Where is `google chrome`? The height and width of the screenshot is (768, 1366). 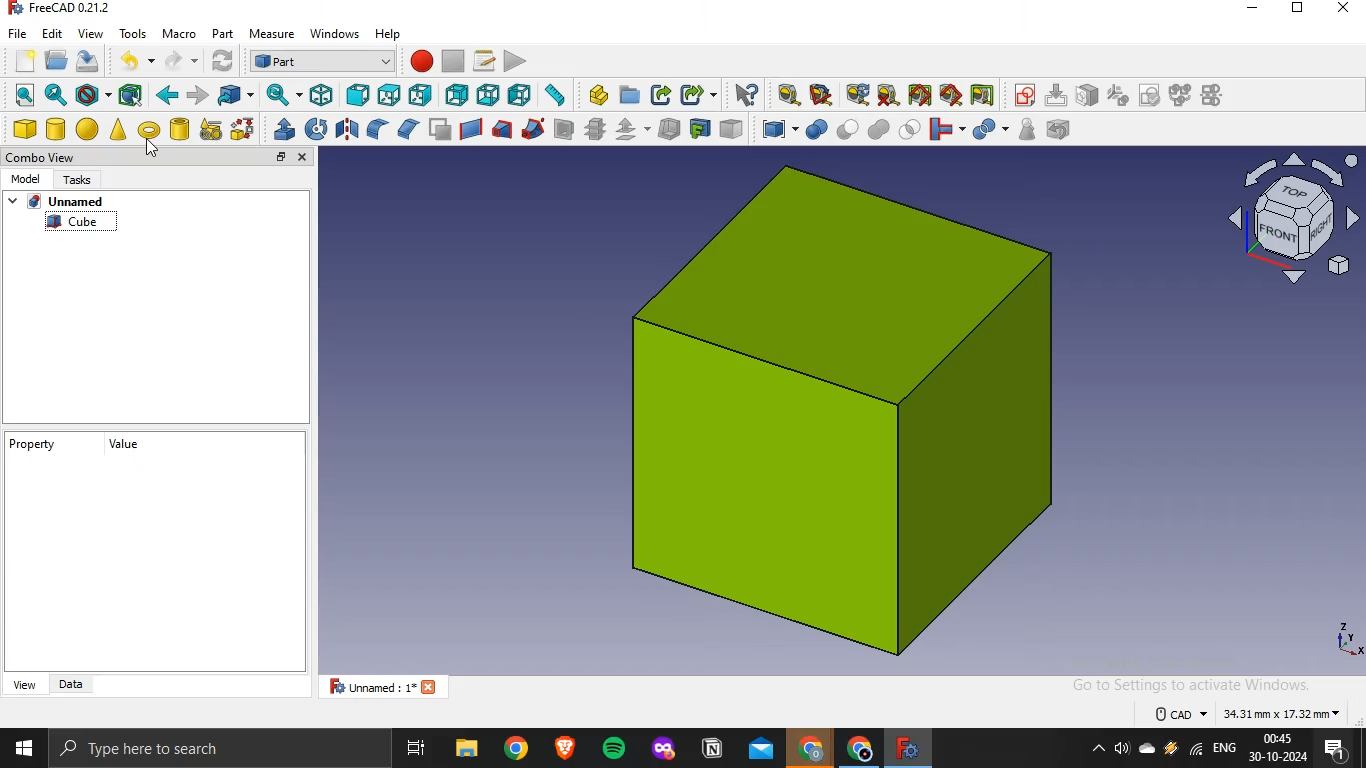
google chrome is located at coordinates (516, 748).